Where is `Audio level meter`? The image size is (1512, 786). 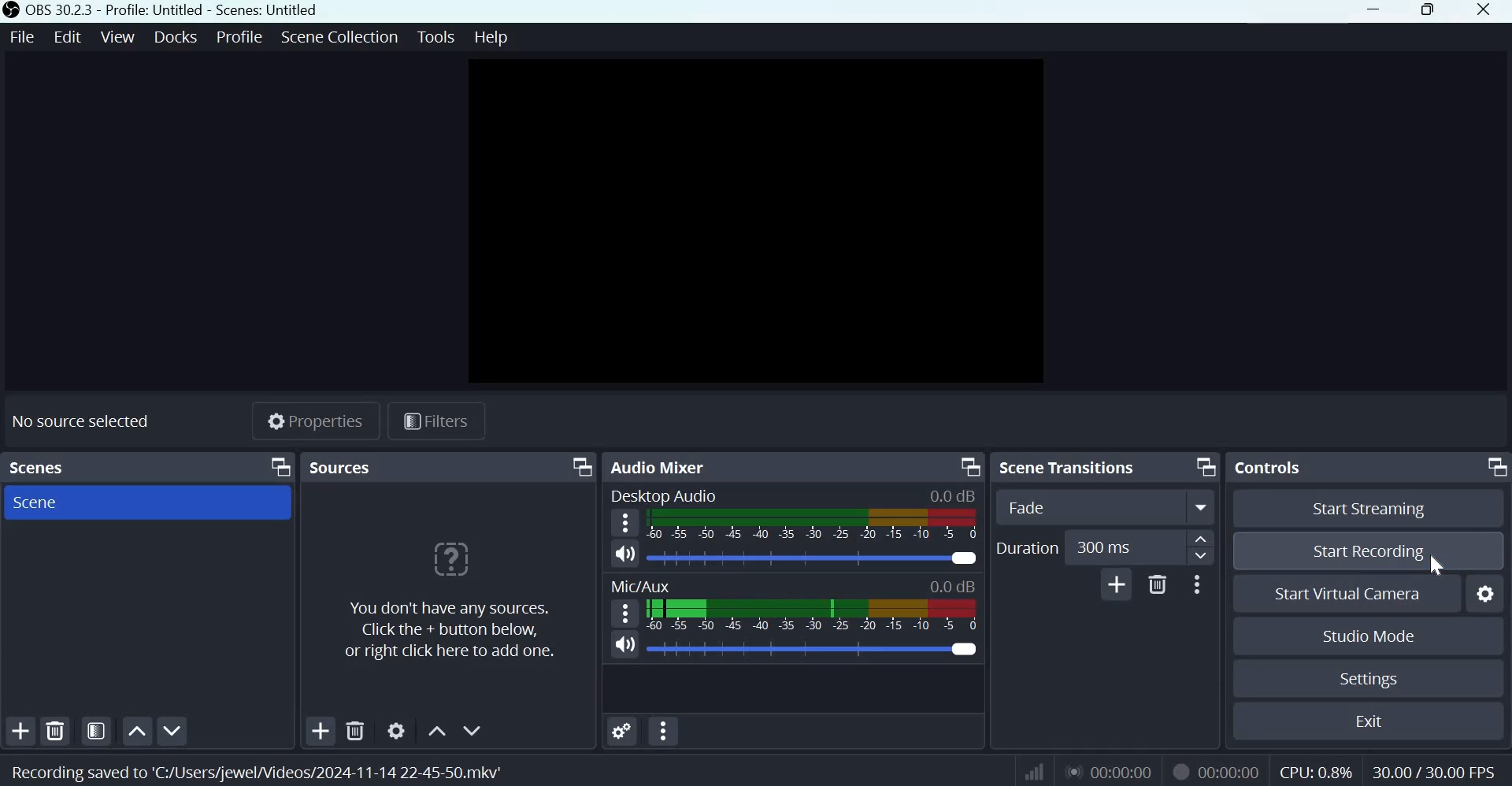 Audio level meter is located at coordinates (790, 558).